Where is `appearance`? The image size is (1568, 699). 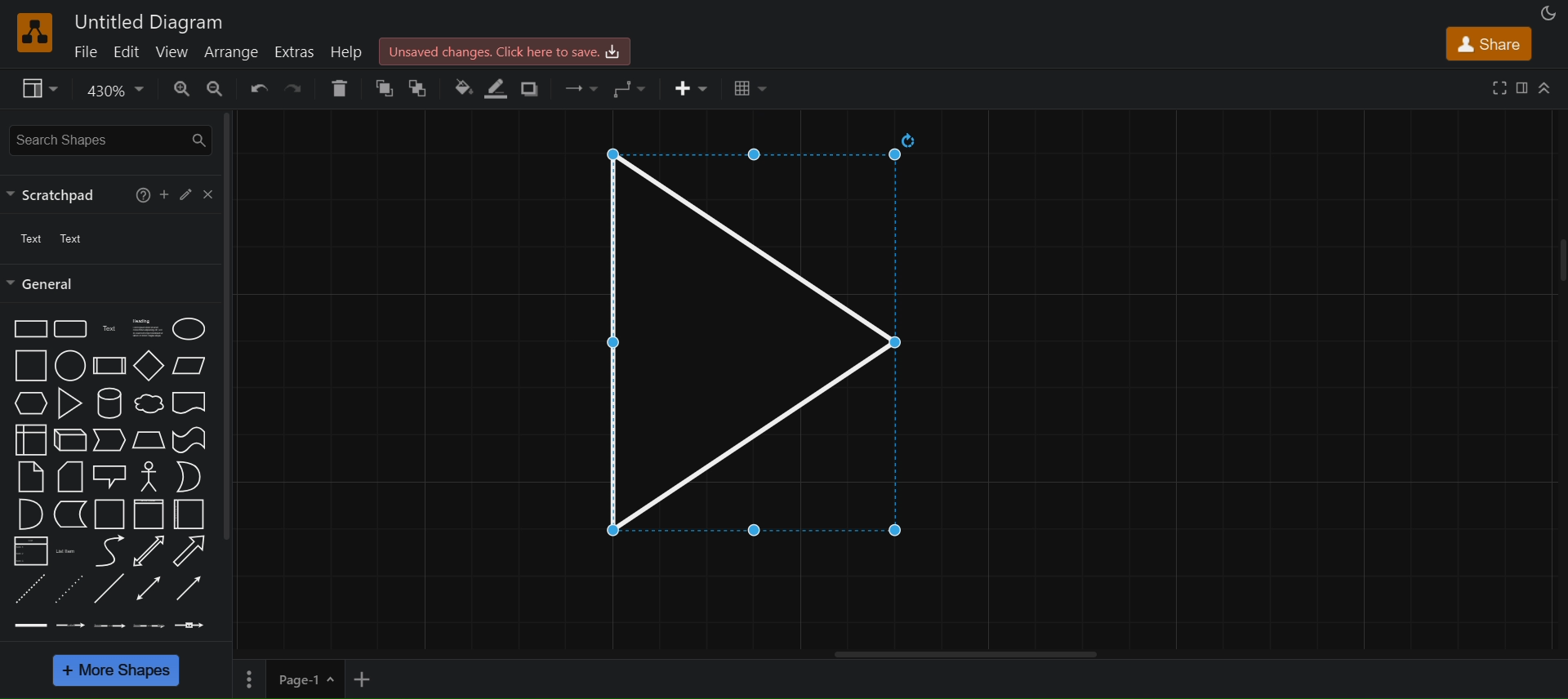
appearance is located at coordinates (1546, 12).